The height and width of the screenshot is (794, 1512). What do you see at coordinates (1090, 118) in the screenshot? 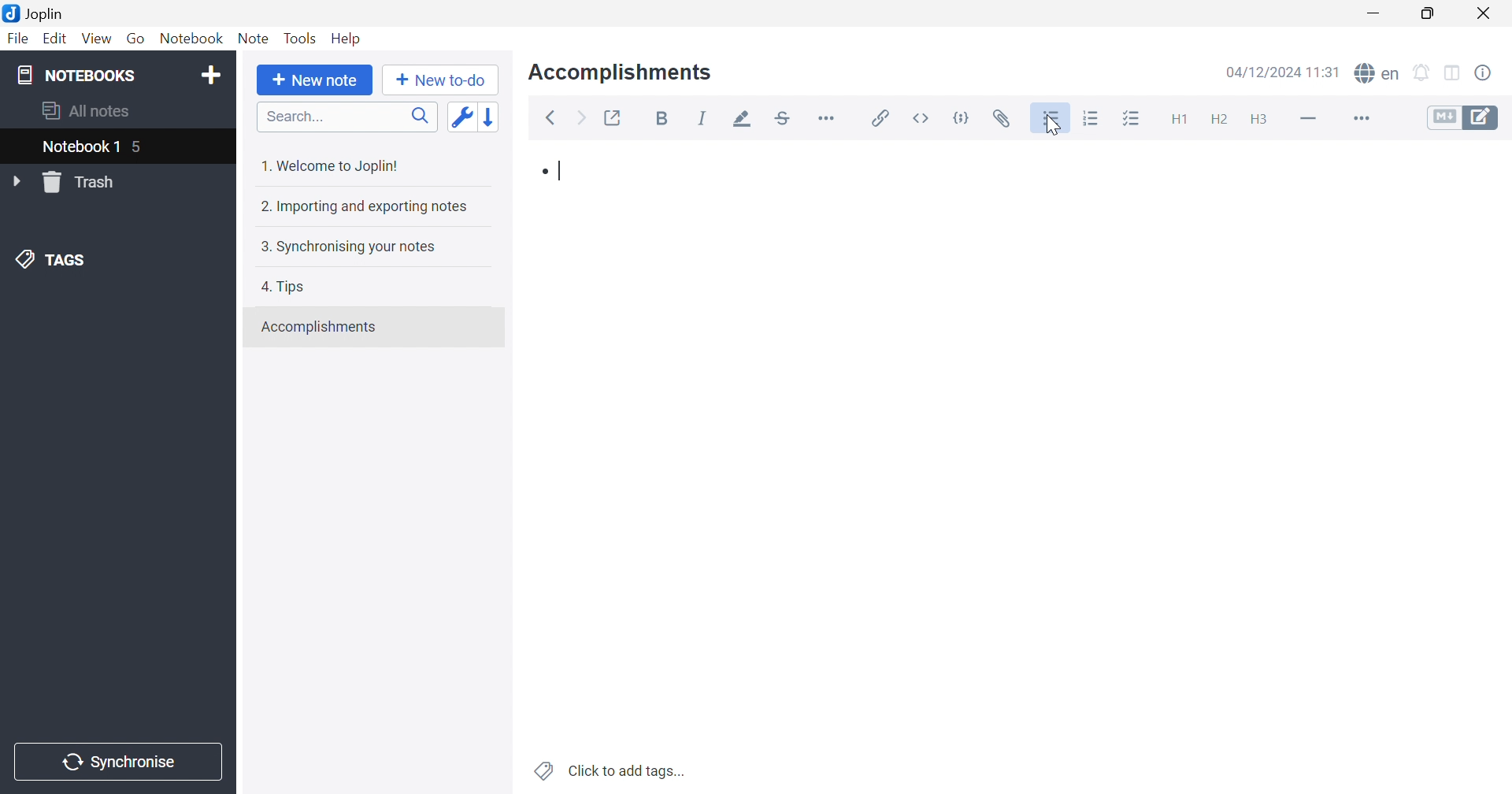
I see `Numbered list` at bounding box center [1090, 118].